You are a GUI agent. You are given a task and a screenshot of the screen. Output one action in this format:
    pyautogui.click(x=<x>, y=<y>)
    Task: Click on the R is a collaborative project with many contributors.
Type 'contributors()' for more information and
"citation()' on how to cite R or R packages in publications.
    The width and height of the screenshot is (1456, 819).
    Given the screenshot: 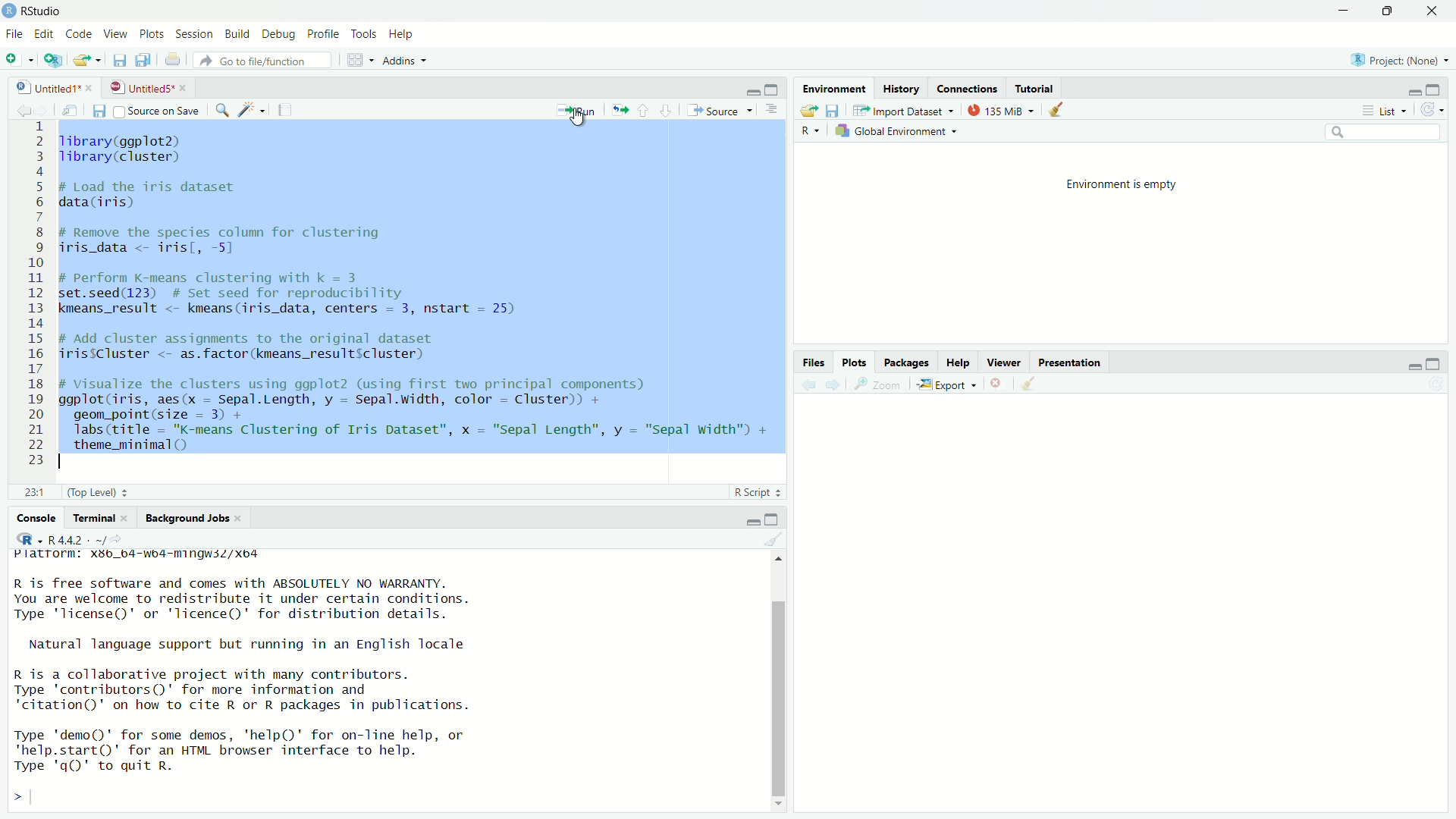 What is the action you would take?
    pyautogui.click(x=268, y=691)
    